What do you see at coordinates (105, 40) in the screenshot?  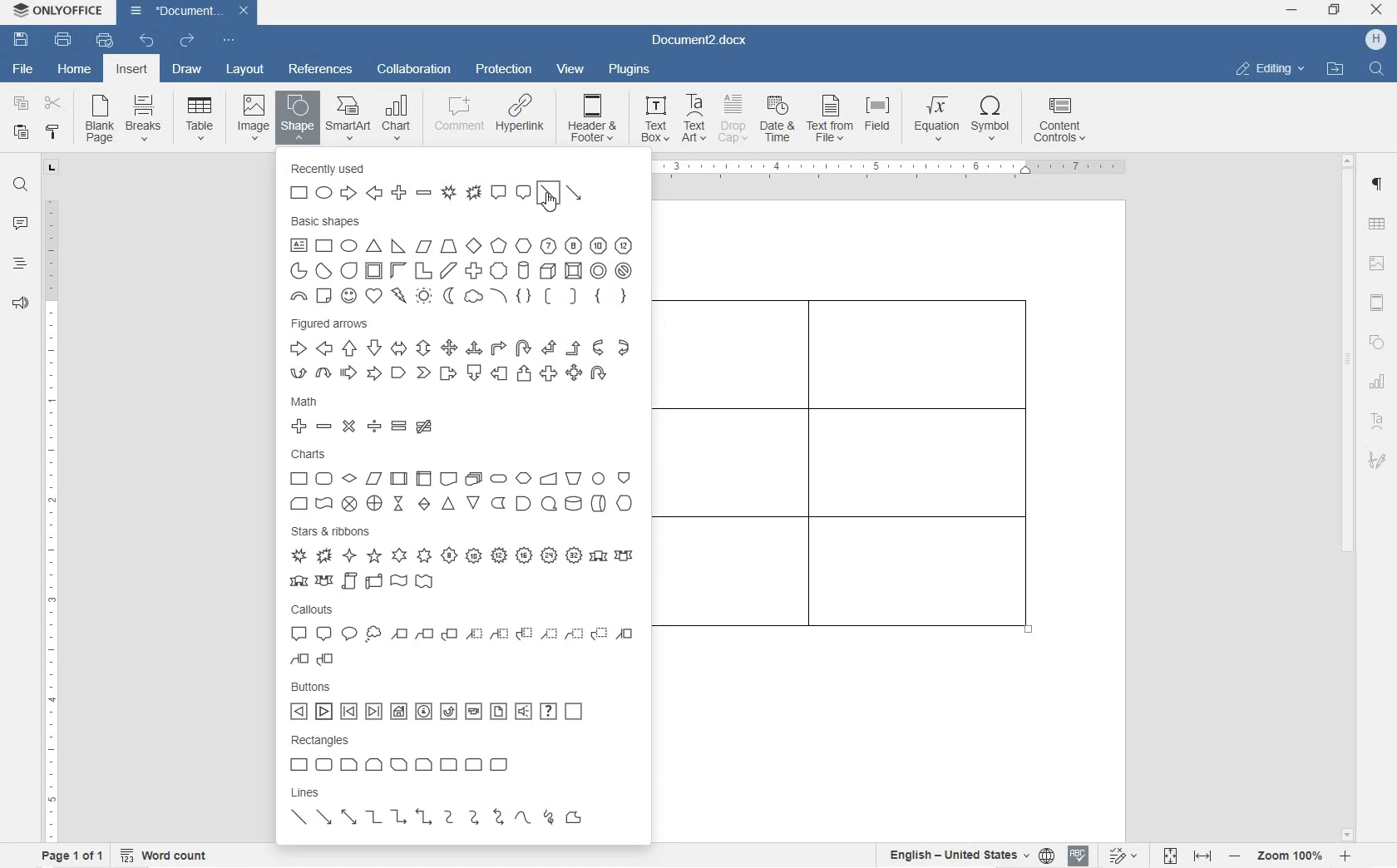 I see `quick print` at bounding box center [105, 40].